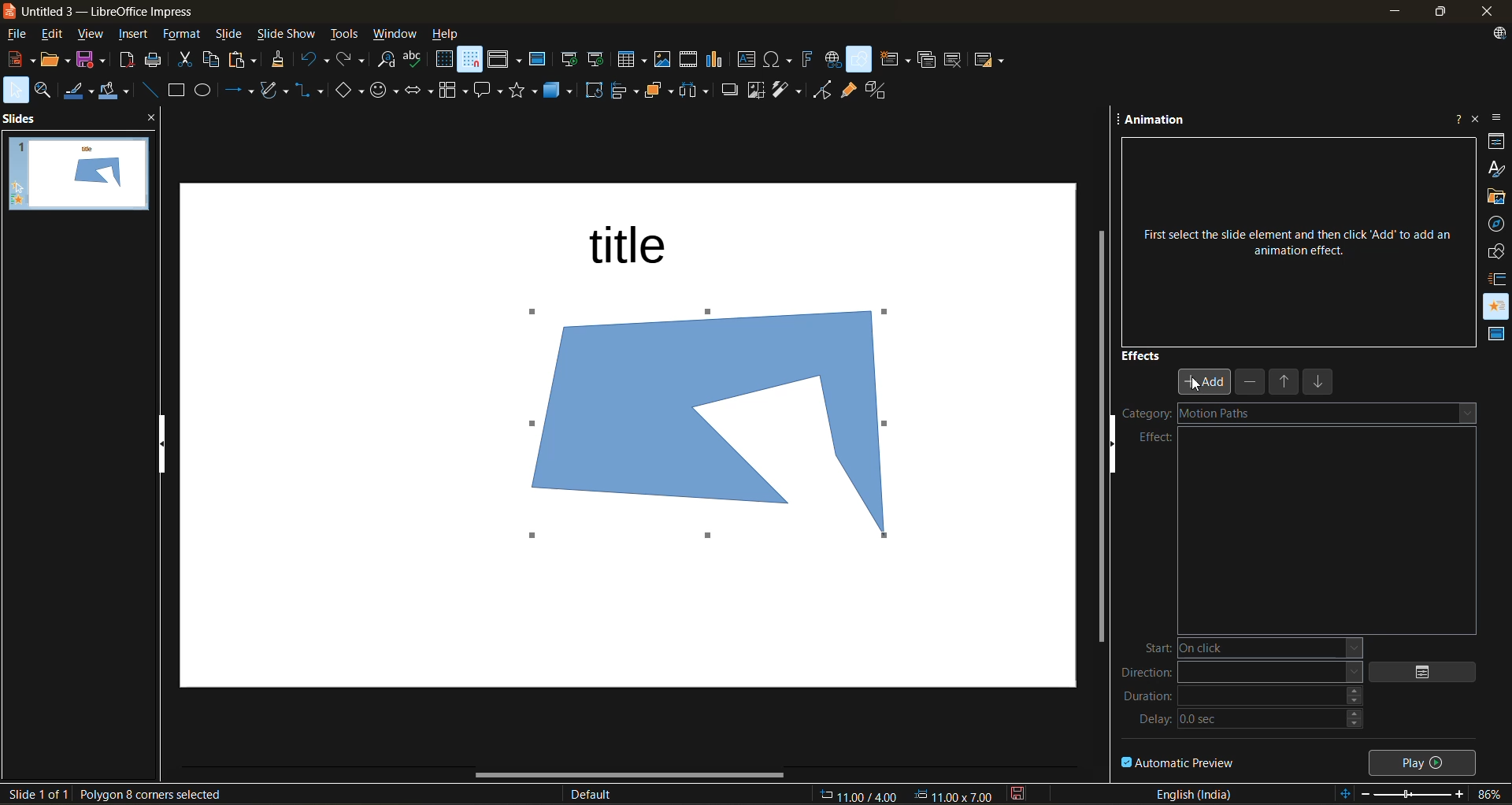 The width and height of the screenshot is (1512, 805). Describe the element at coordinates (1486, 793) in the screenshot. I see `zoom factor` at that location.